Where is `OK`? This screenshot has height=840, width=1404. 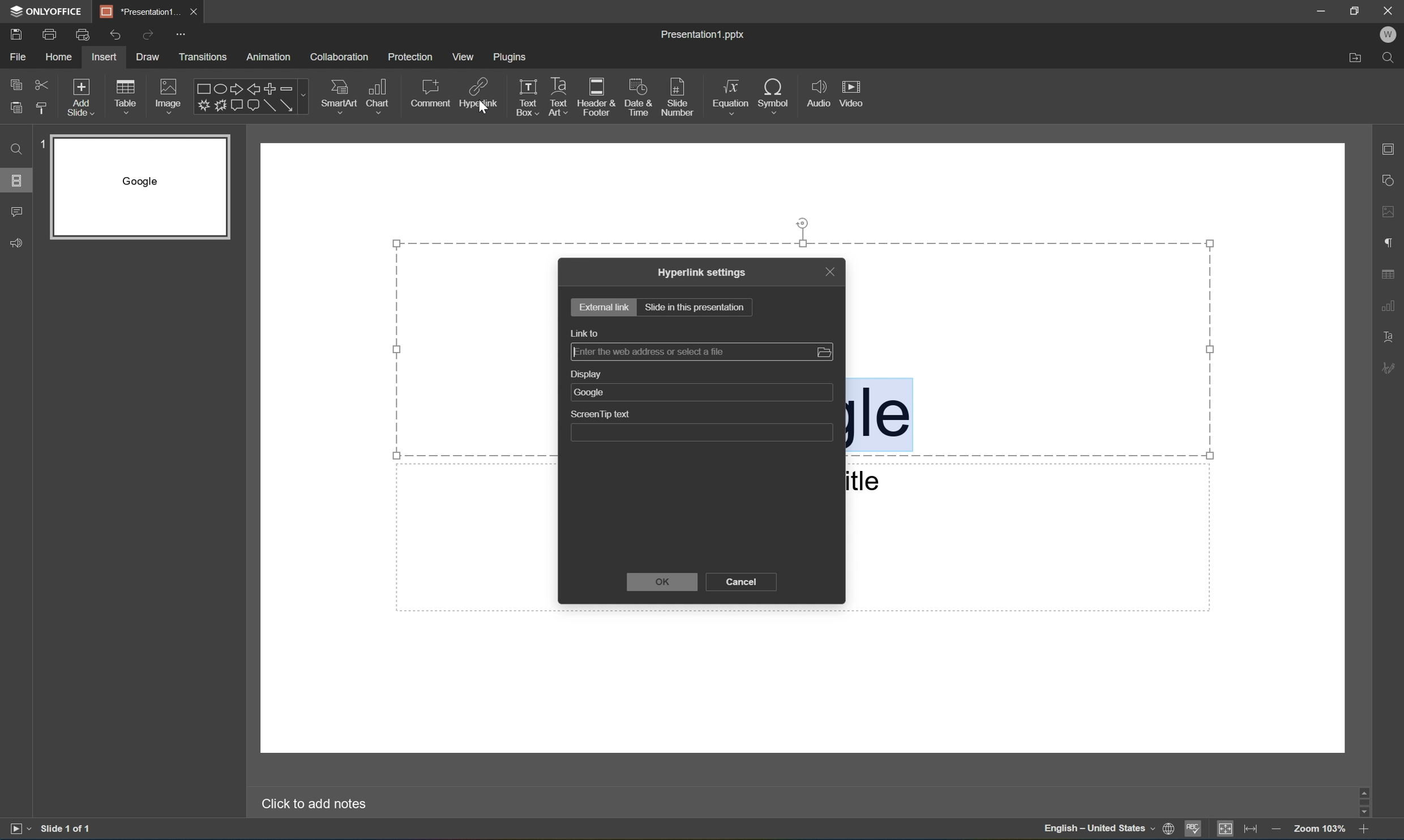
OK is located at coordinates (666, 583).